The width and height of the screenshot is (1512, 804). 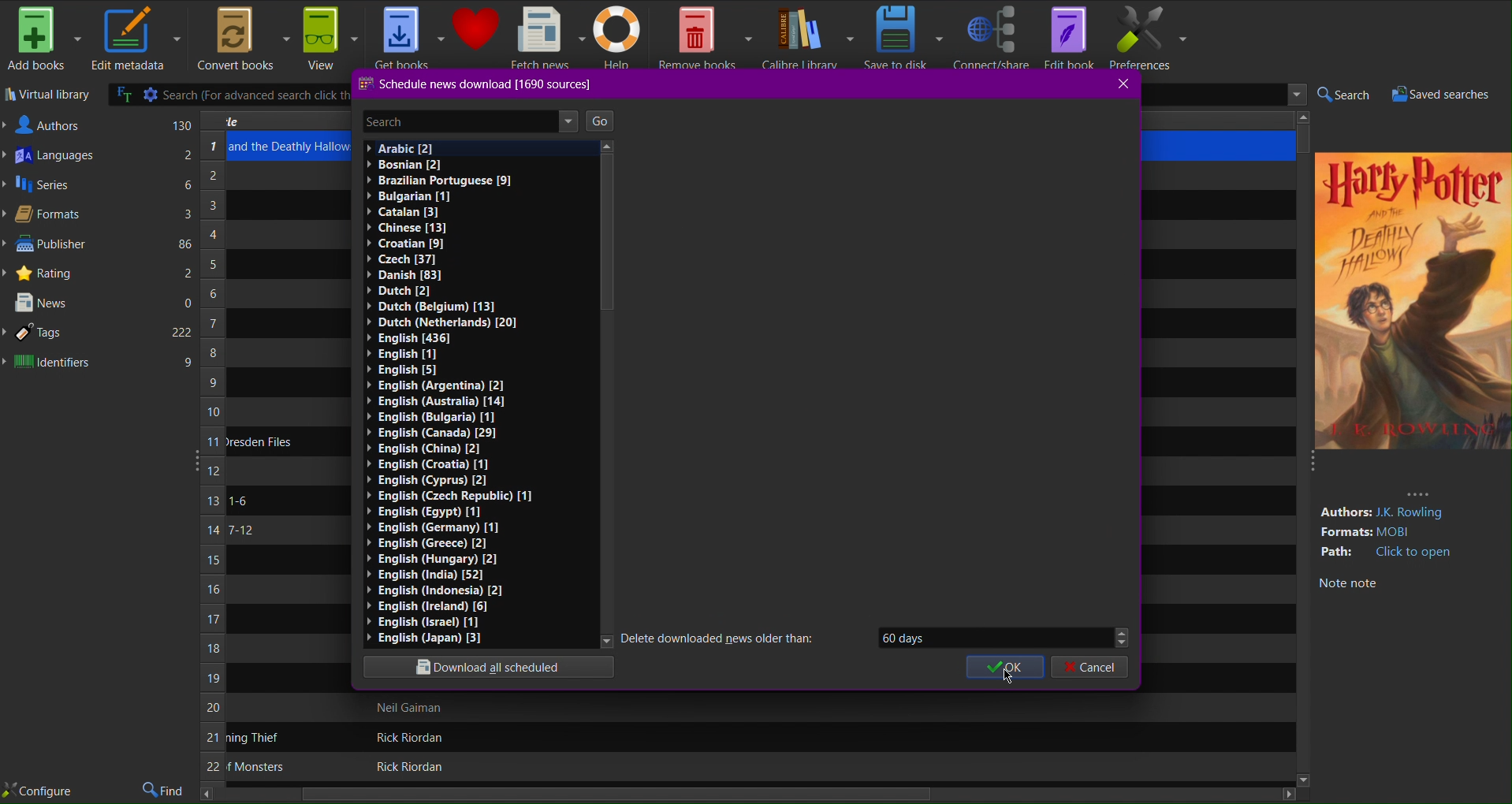 I want to click on english (Crotia) | 1], so click(x=430, y=464).